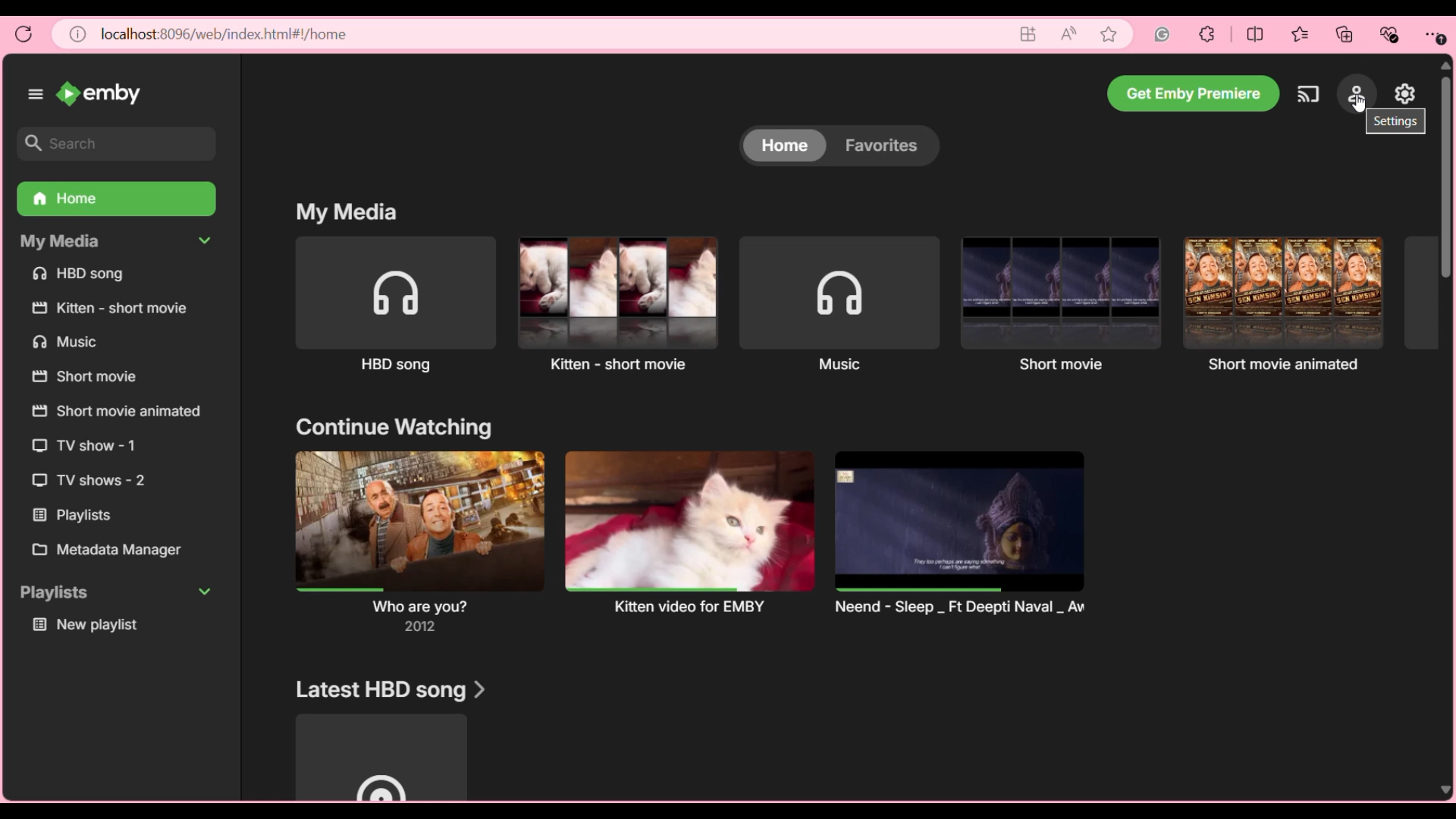  Describe the element at coordinates (1358, 106) in the screenshot. I see `cursor` at that location.